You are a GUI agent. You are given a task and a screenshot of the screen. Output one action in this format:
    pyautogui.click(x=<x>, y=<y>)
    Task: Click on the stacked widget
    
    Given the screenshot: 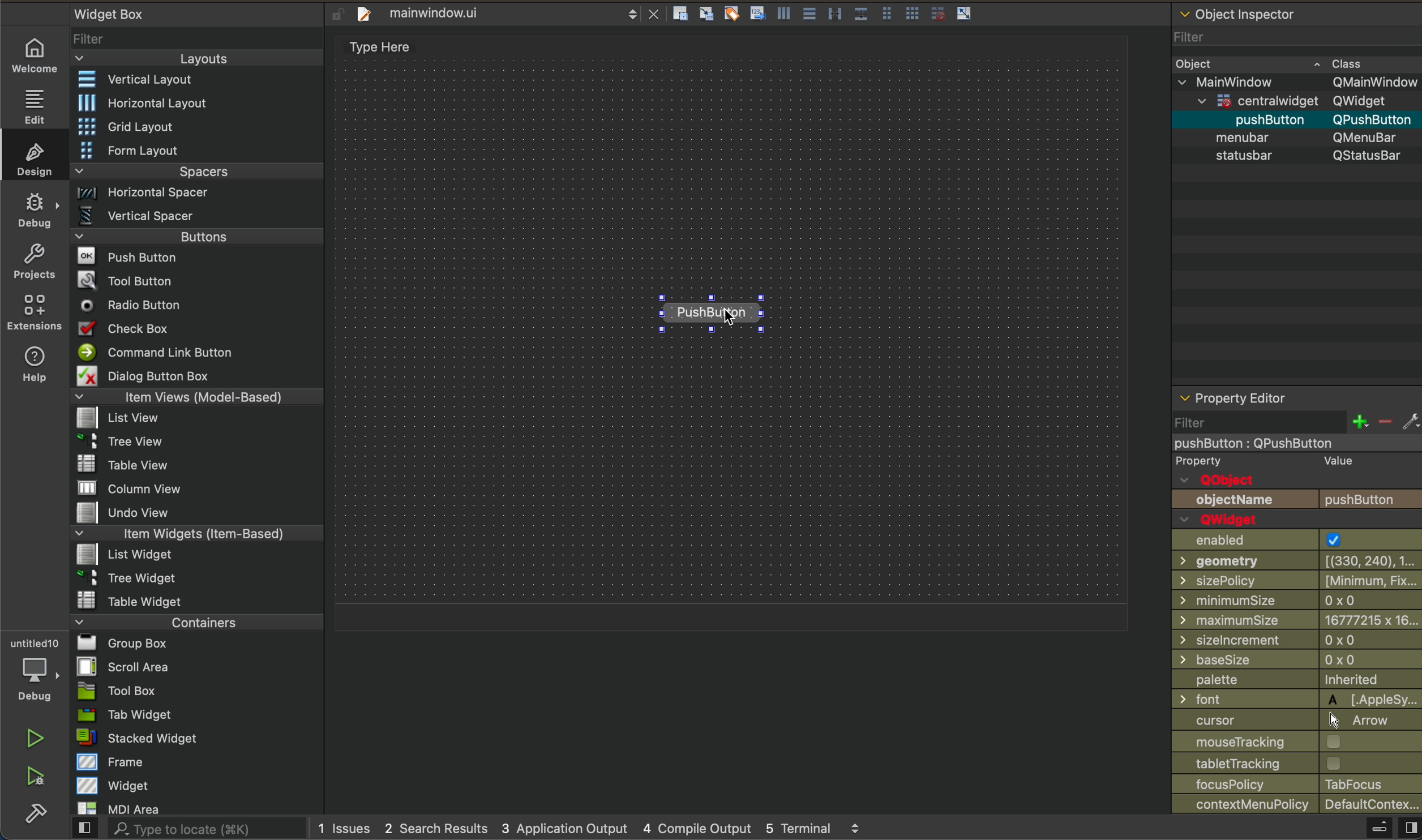 What is the action you would take?
    pyautogui.click(x=194, y=739)
    